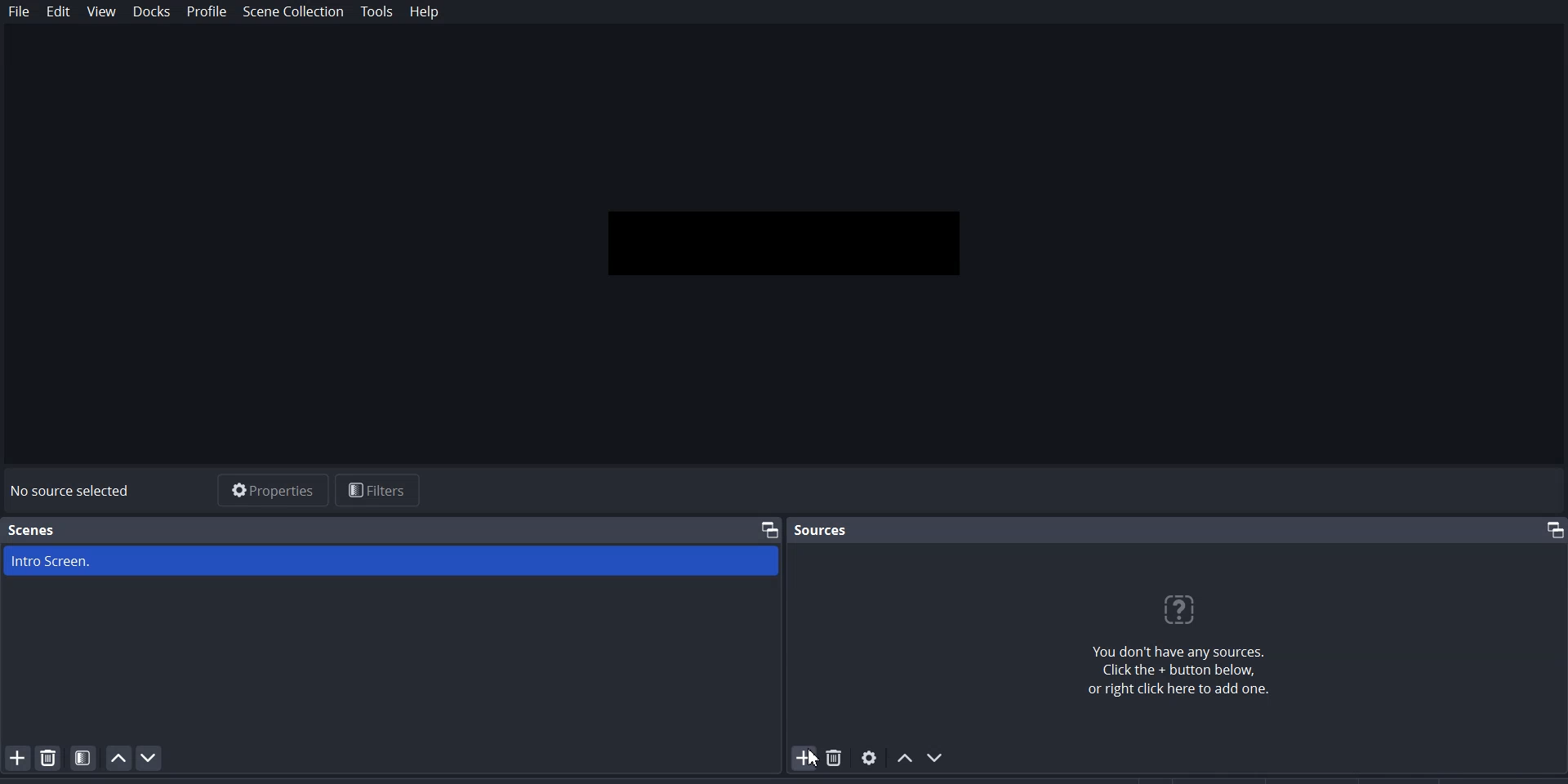  I want to click on Edit, so click(59, 13).